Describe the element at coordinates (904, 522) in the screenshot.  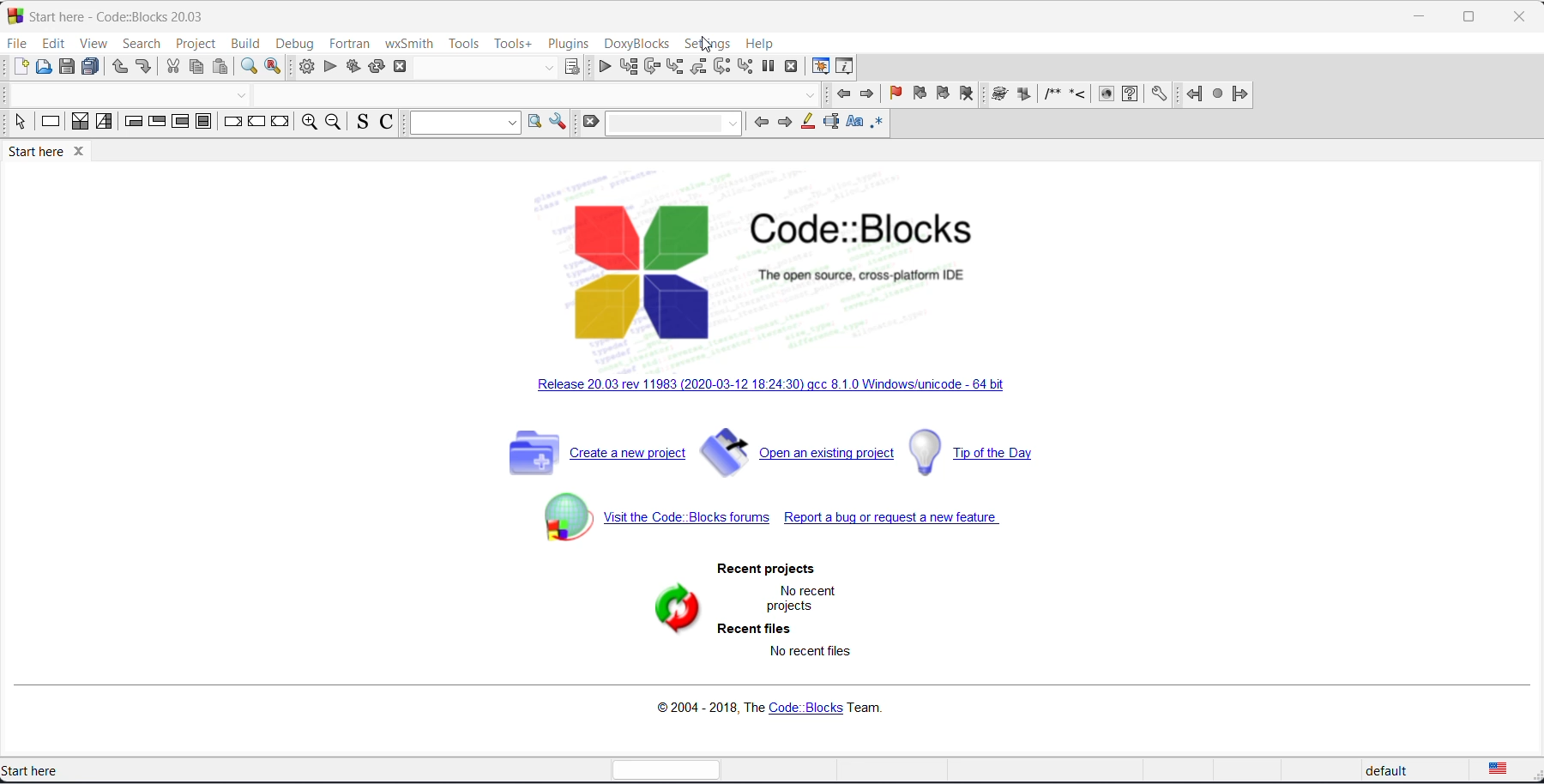
I see `report bug` at that location.